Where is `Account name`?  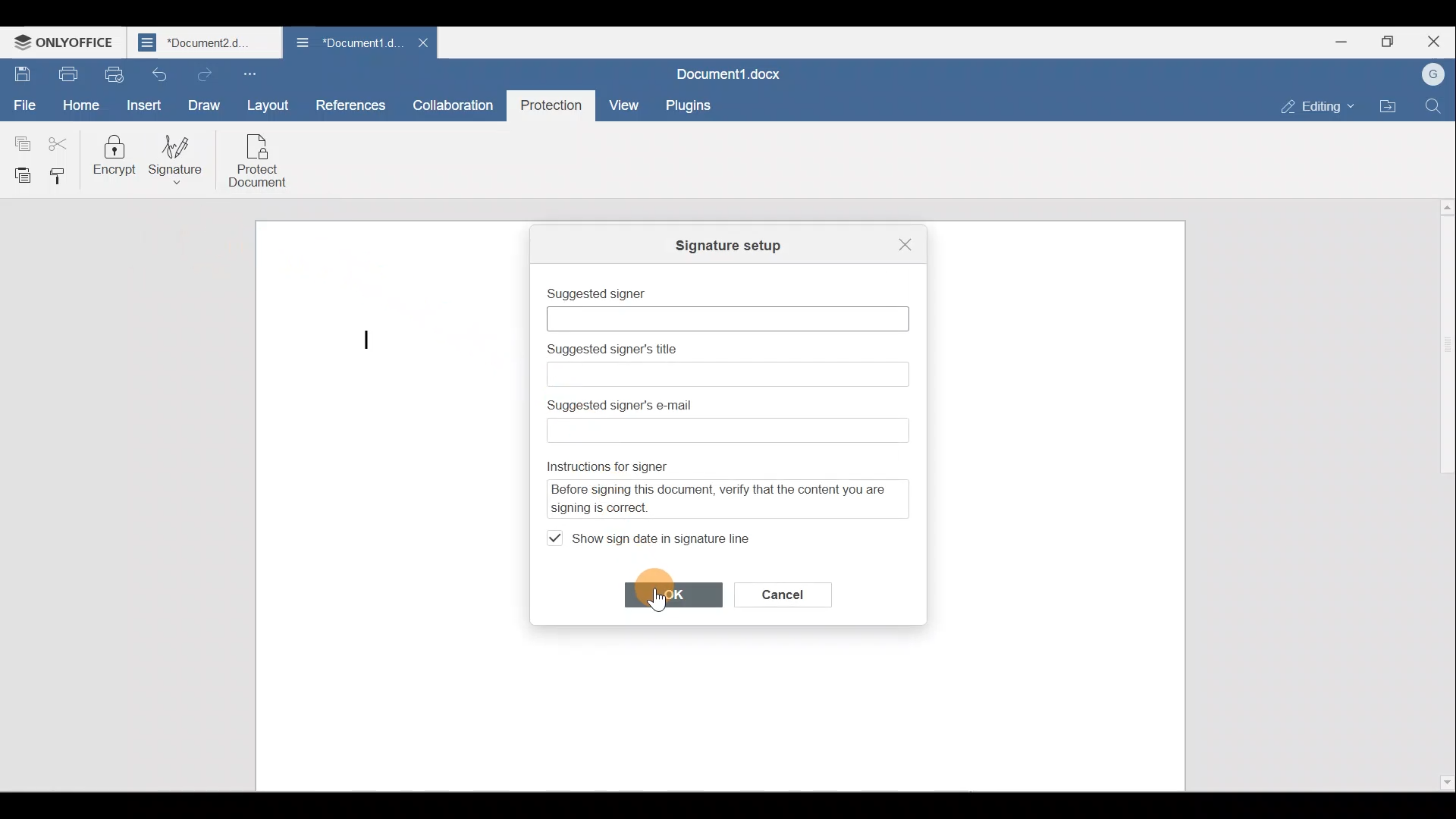
Account name is located at coordinates (1436, 73).